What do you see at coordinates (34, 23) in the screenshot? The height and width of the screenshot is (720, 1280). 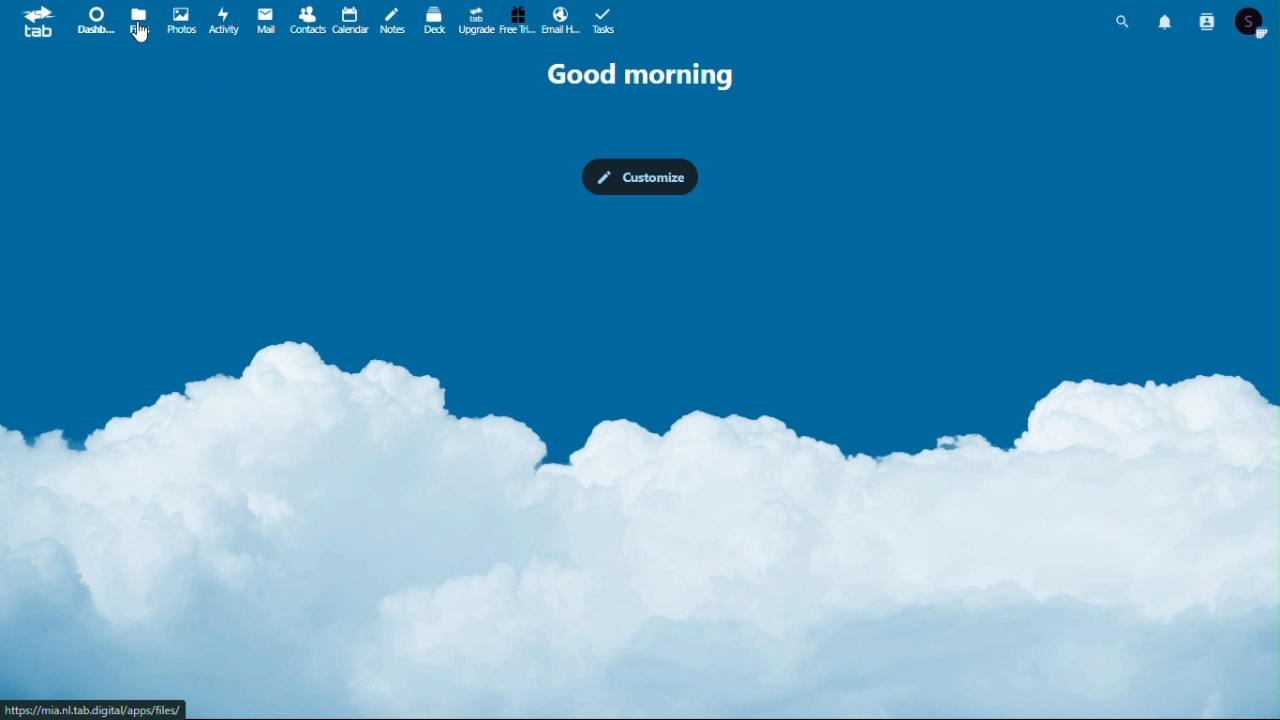 I see `tab` at bounding box center [34, 23].